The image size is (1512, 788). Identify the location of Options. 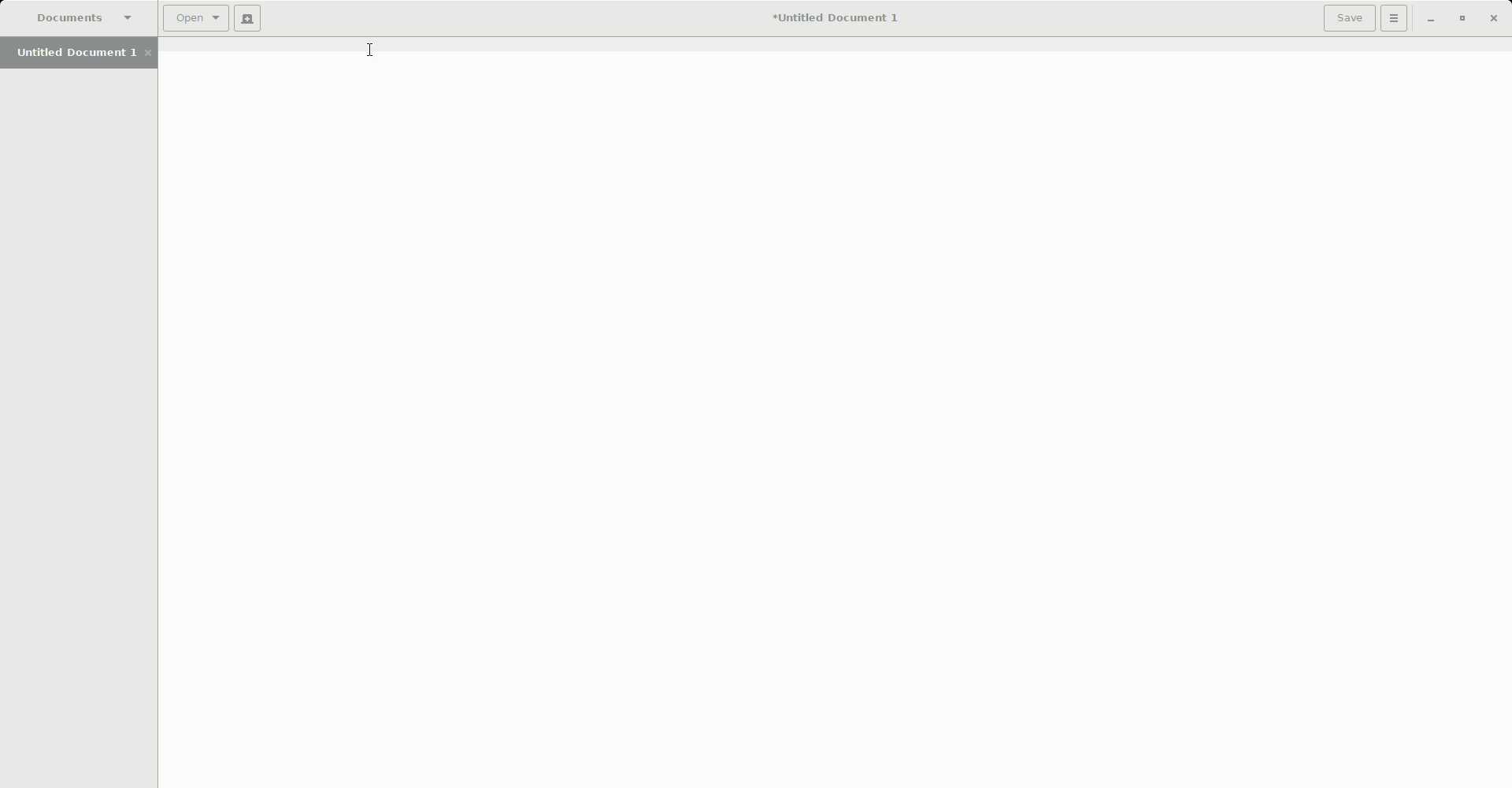
(1397, 20).